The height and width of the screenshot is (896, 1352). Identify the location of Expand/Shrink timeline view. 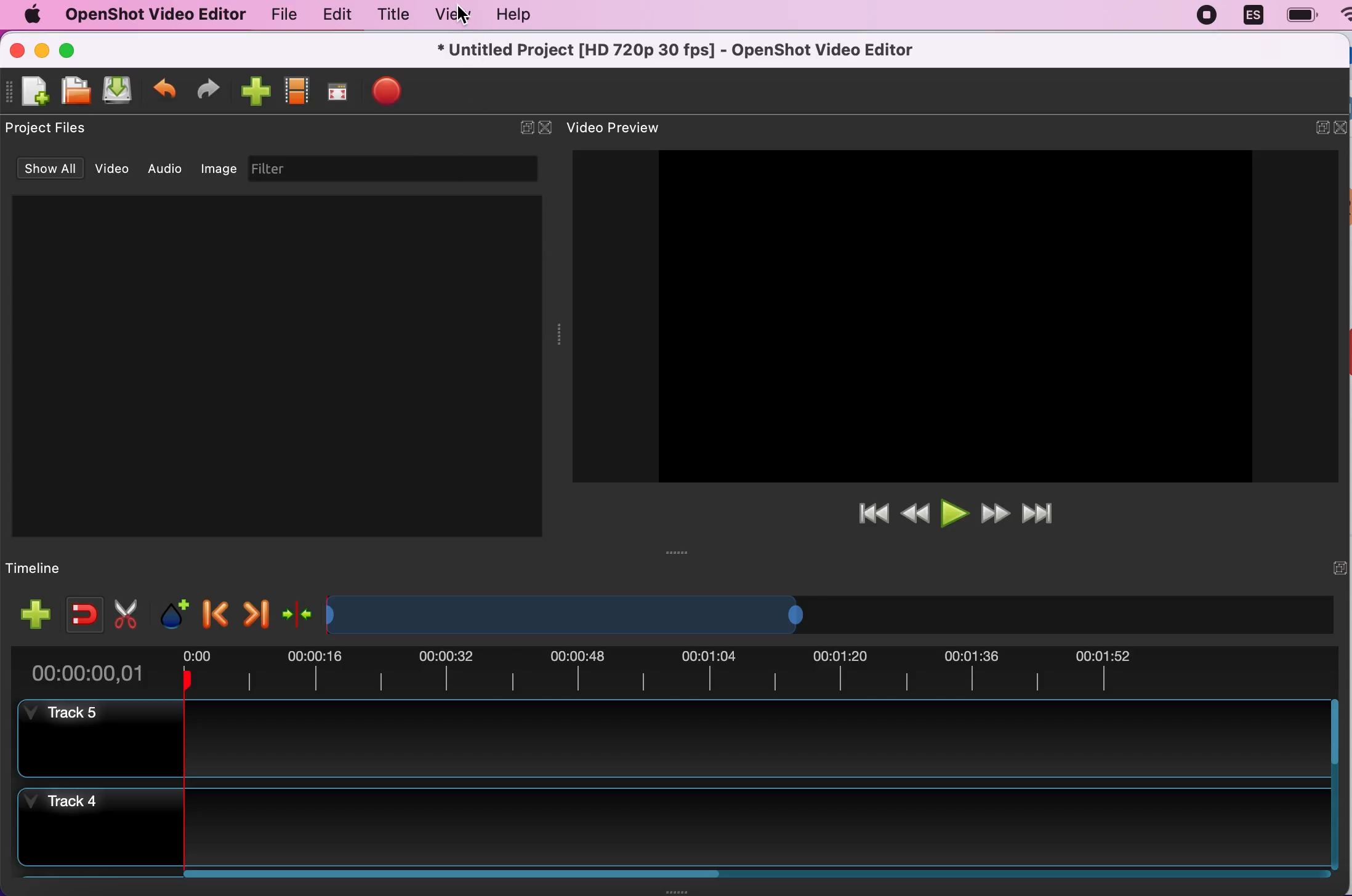
(569, 615).